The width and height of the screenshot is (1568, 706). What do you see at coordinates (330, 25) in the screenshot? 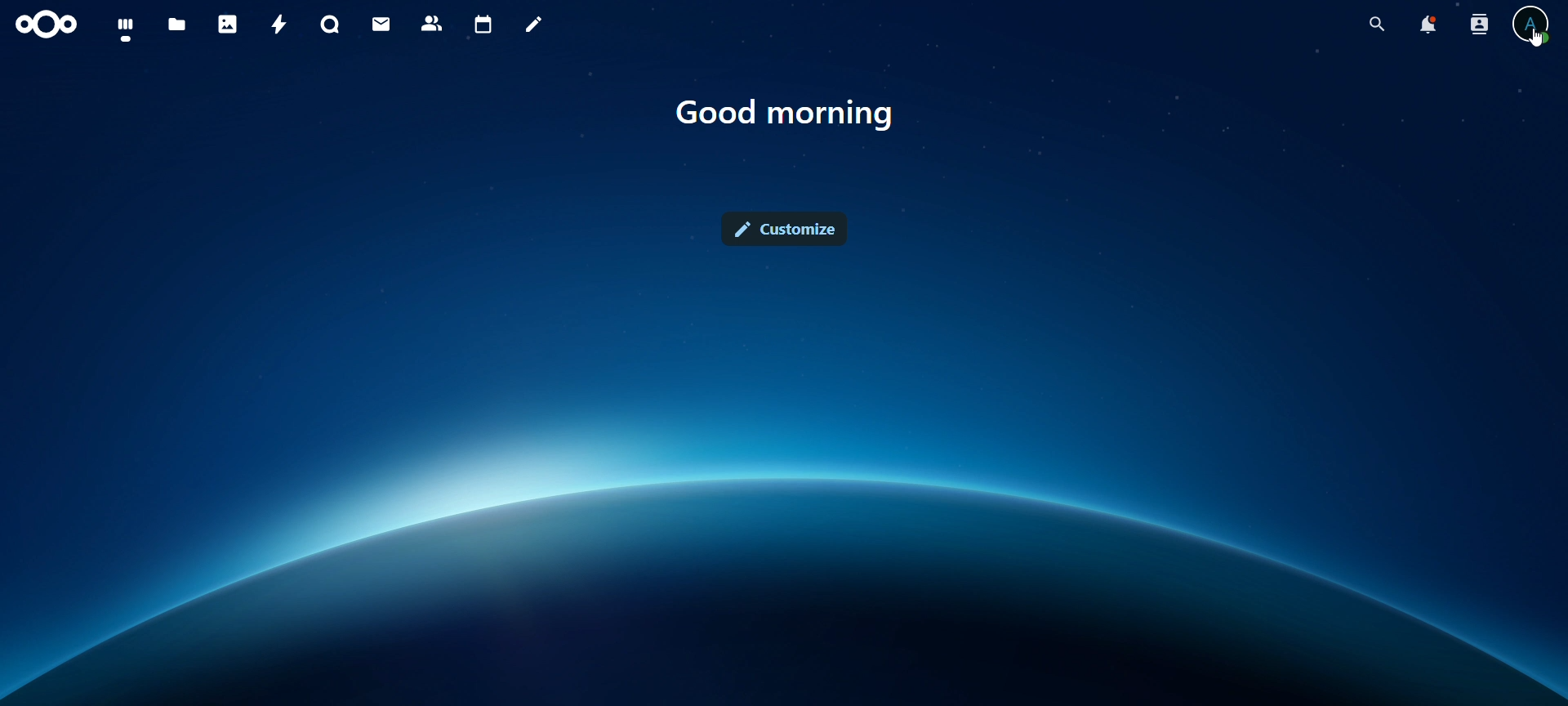
I see `talk` at bounding box center [330, 25].